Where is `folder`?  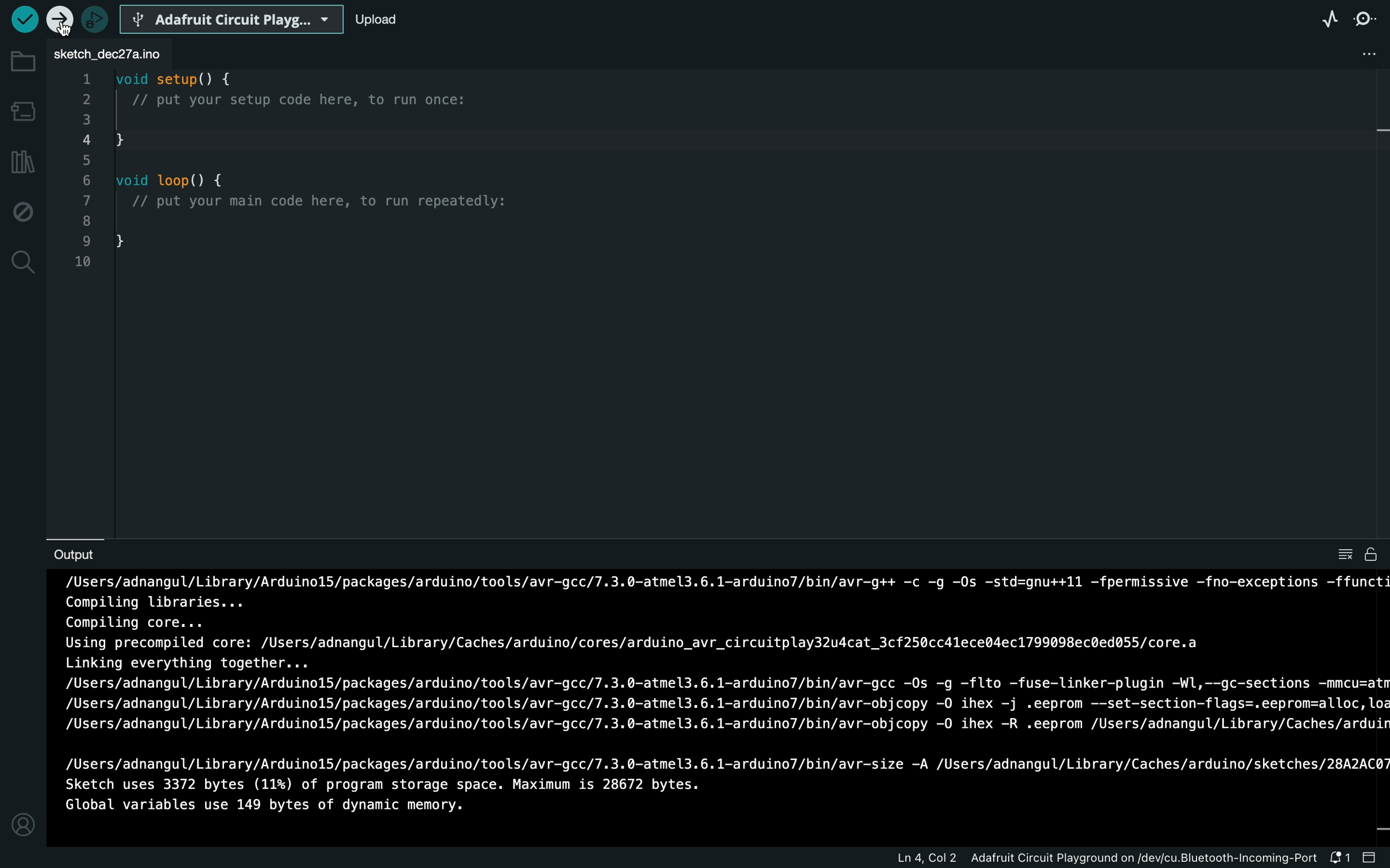
folder is located at coordinates (24, 63).